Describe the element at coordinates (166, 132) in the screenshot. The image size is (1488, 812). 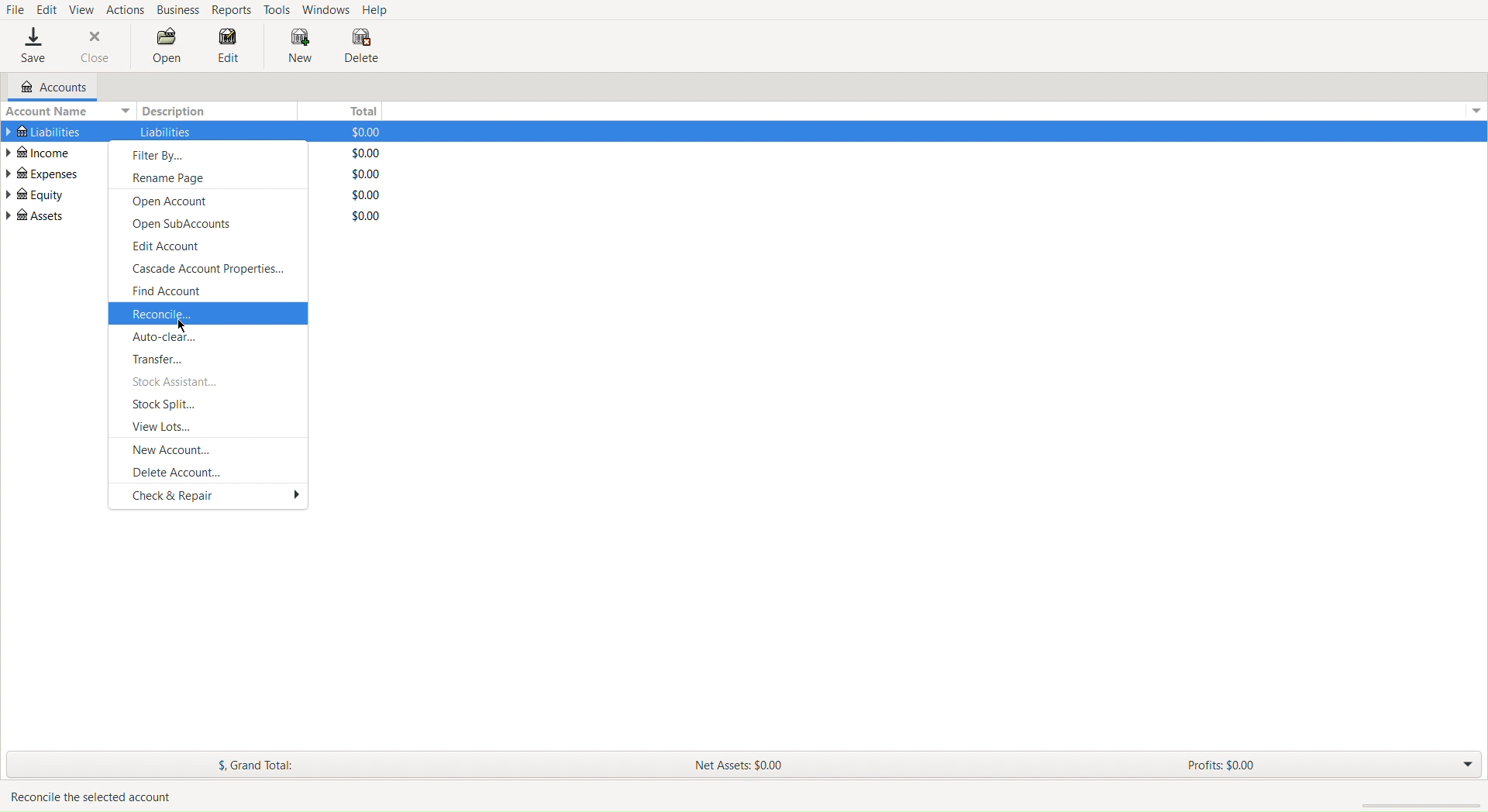
I see `Description` at that location.